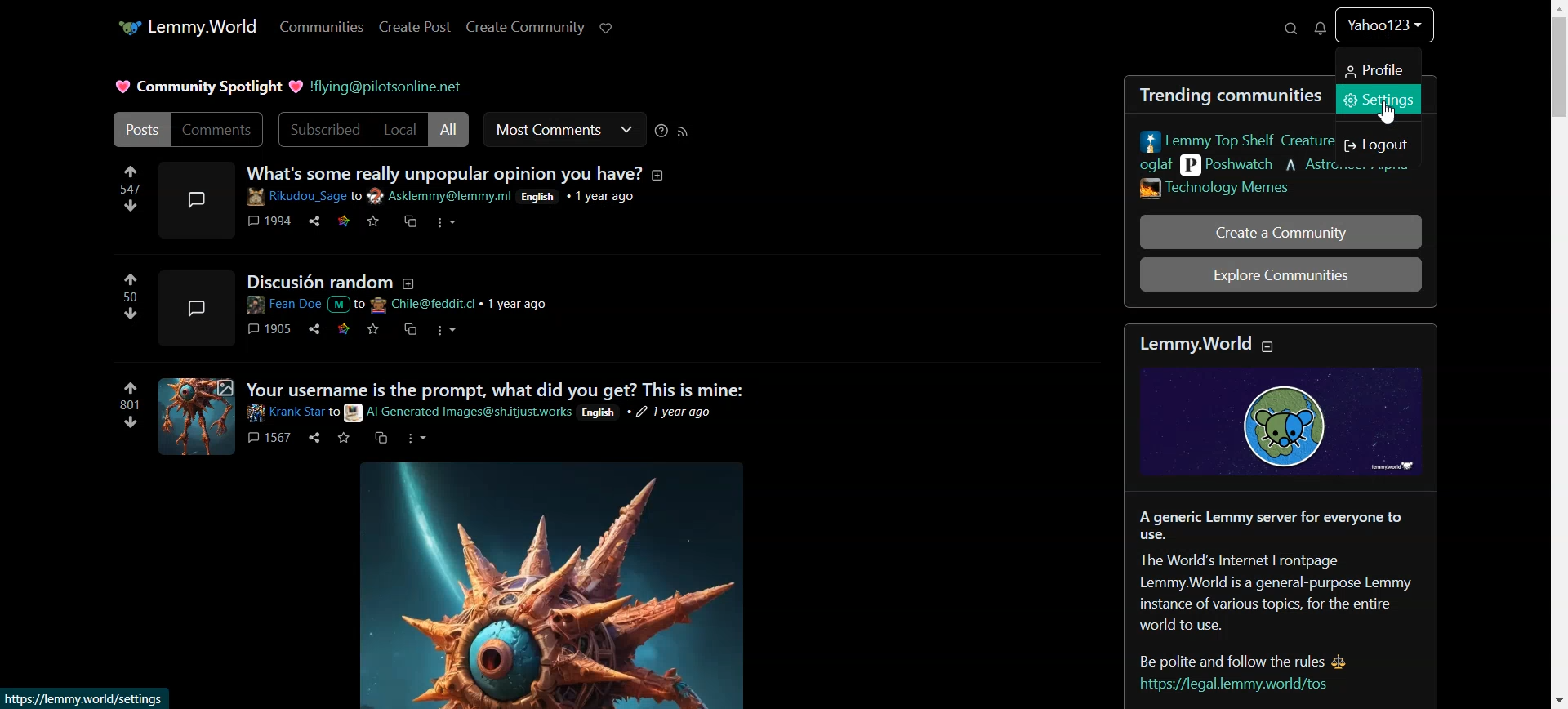  I want to click on Communities, so click(324, 27).